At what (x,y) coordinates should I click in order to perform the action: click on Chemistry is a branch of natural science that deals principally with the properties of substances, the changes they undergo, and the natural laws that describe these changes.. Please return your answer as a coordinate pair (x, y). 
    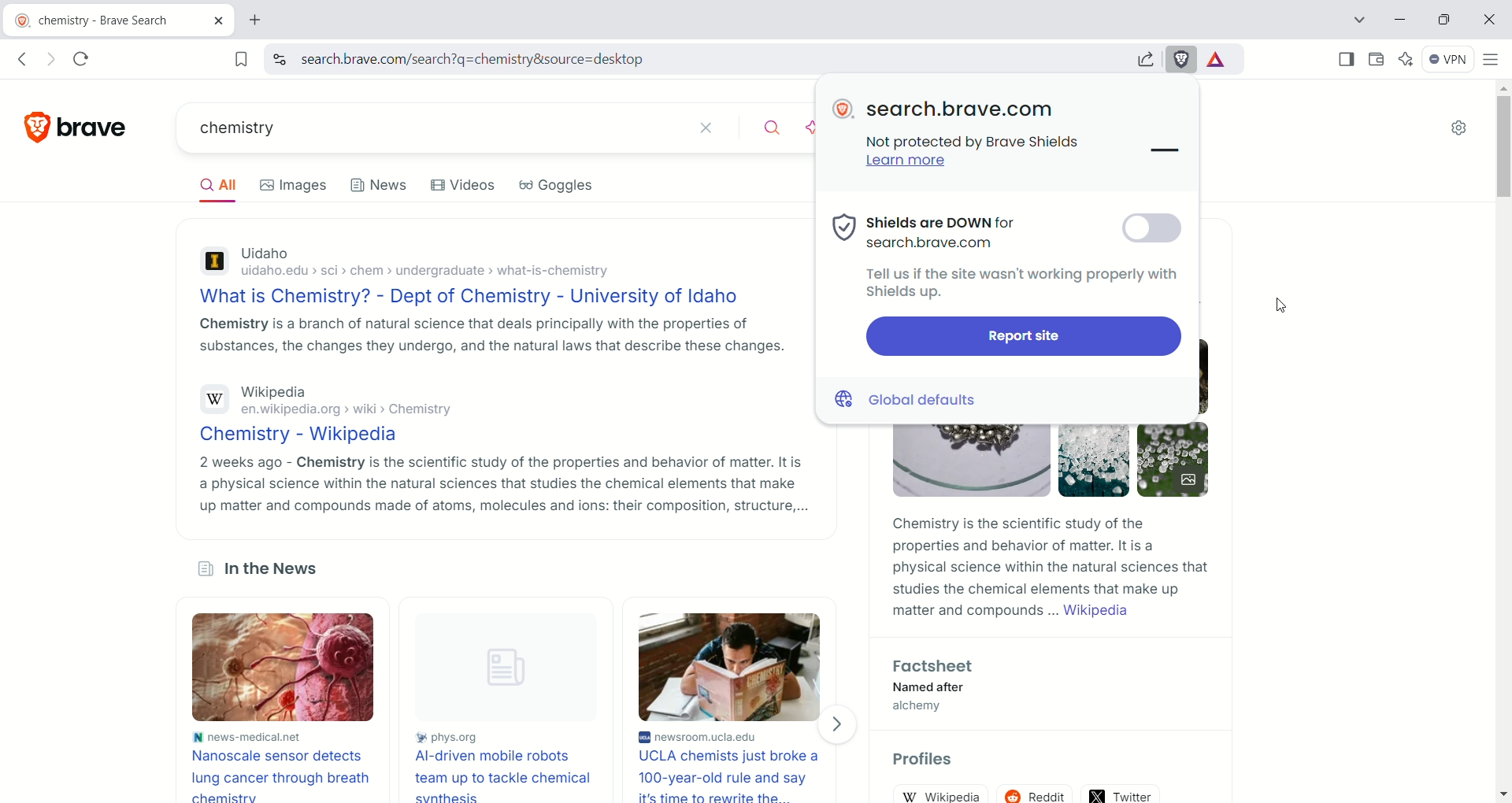
    Looking at the image, I should click on (488, 335).